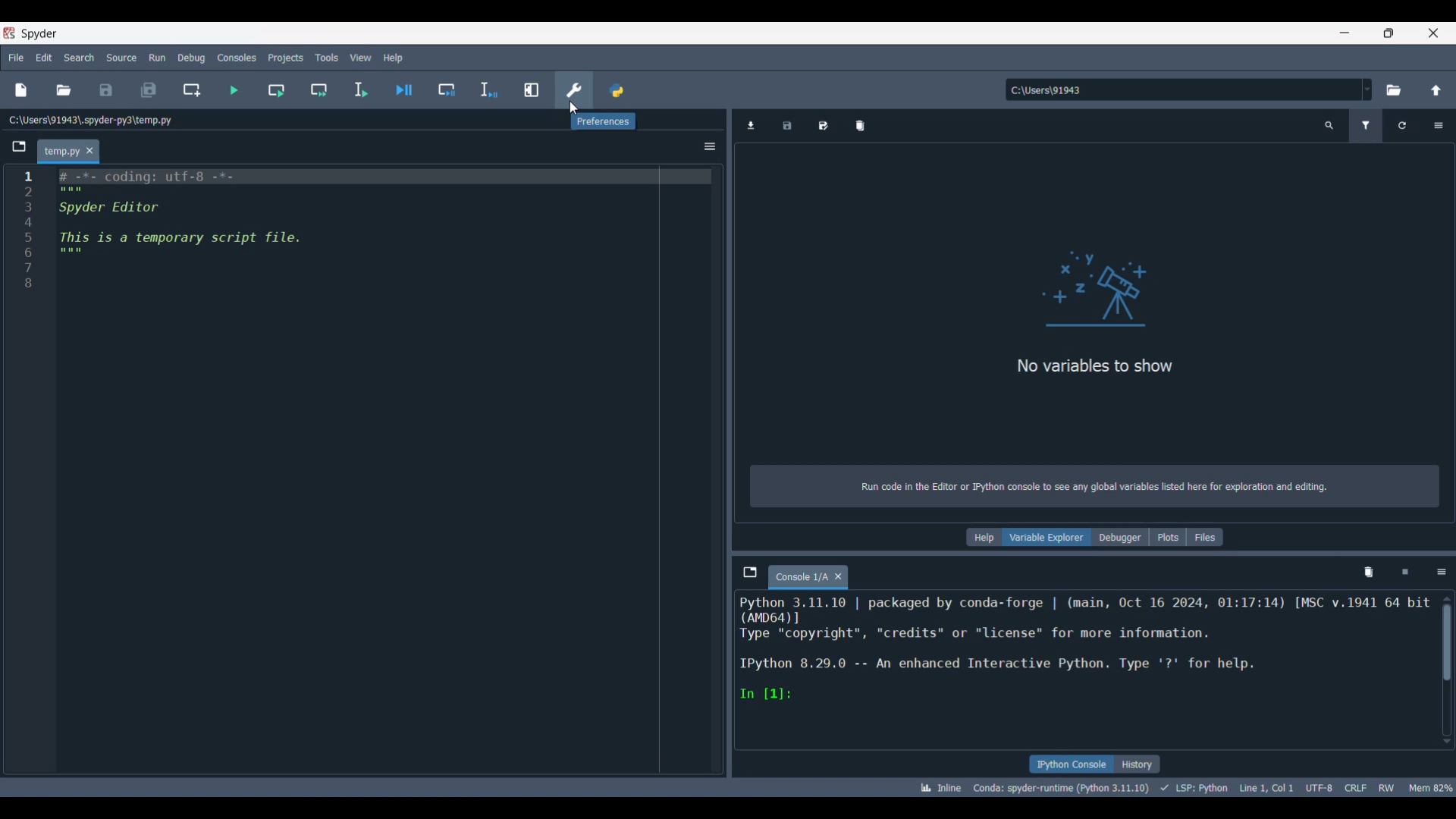 Image resolution: width=1456 pixels, height=819 pixels. I want to click on Close interface, so click(1433, 33).